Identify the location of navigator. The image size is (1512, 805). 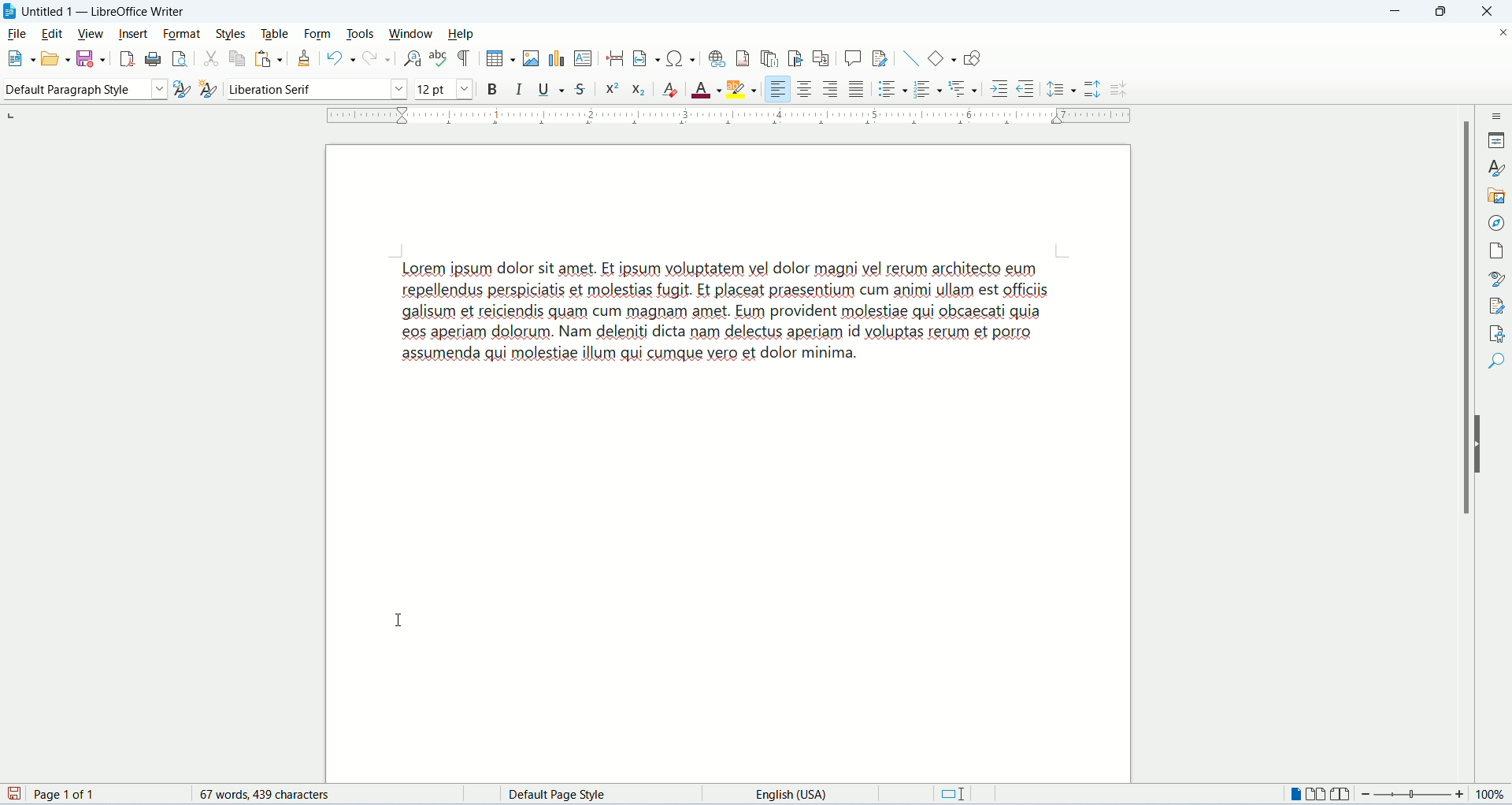
(1495, 224).